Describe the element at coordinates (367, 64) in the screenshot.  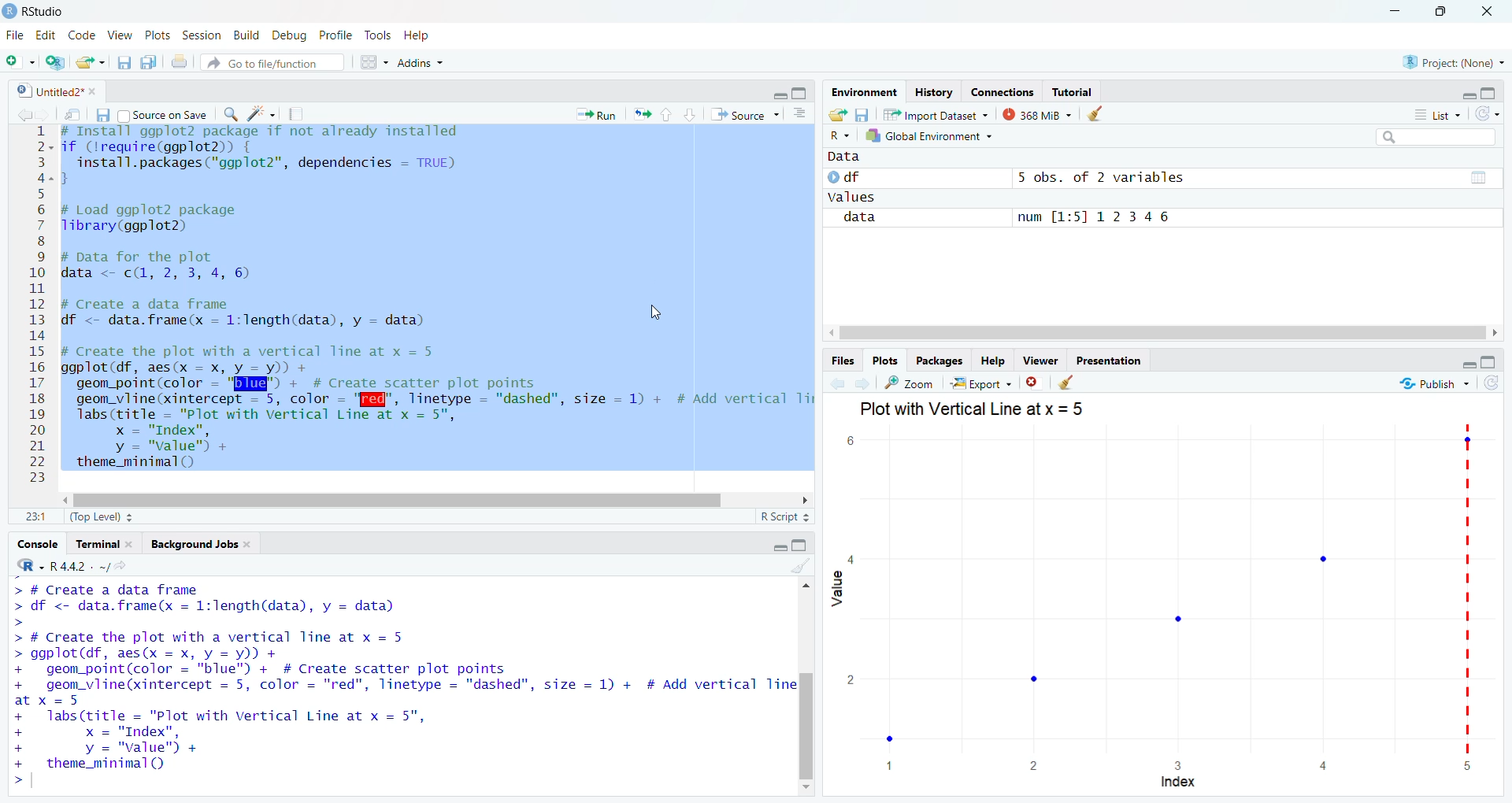
I see `grid` at that location.